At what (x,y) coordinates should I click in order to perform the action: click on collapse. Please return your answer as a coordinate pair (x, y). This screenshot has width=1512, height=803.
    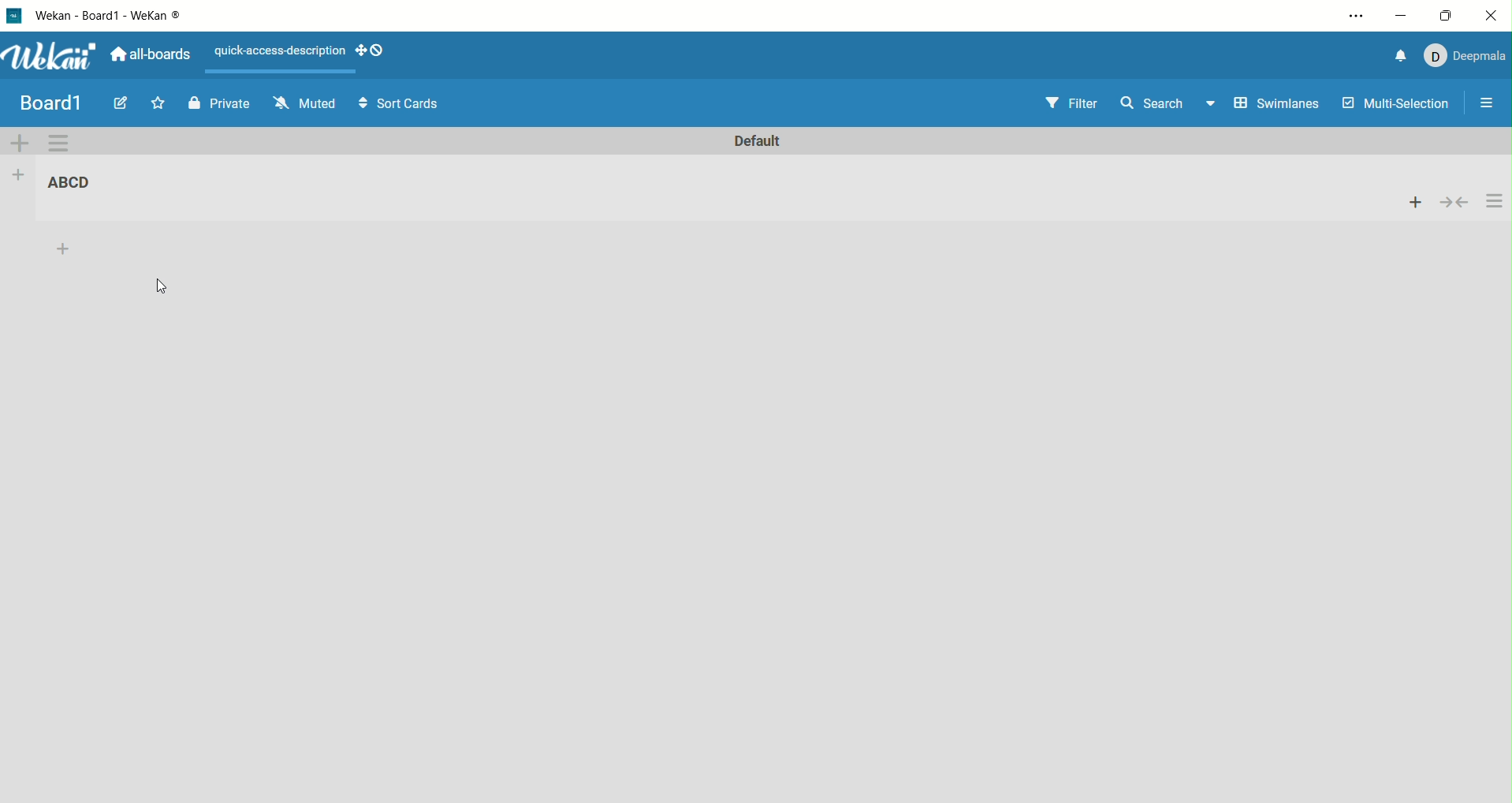
    Looking at the image, I should click on (1454, 203).